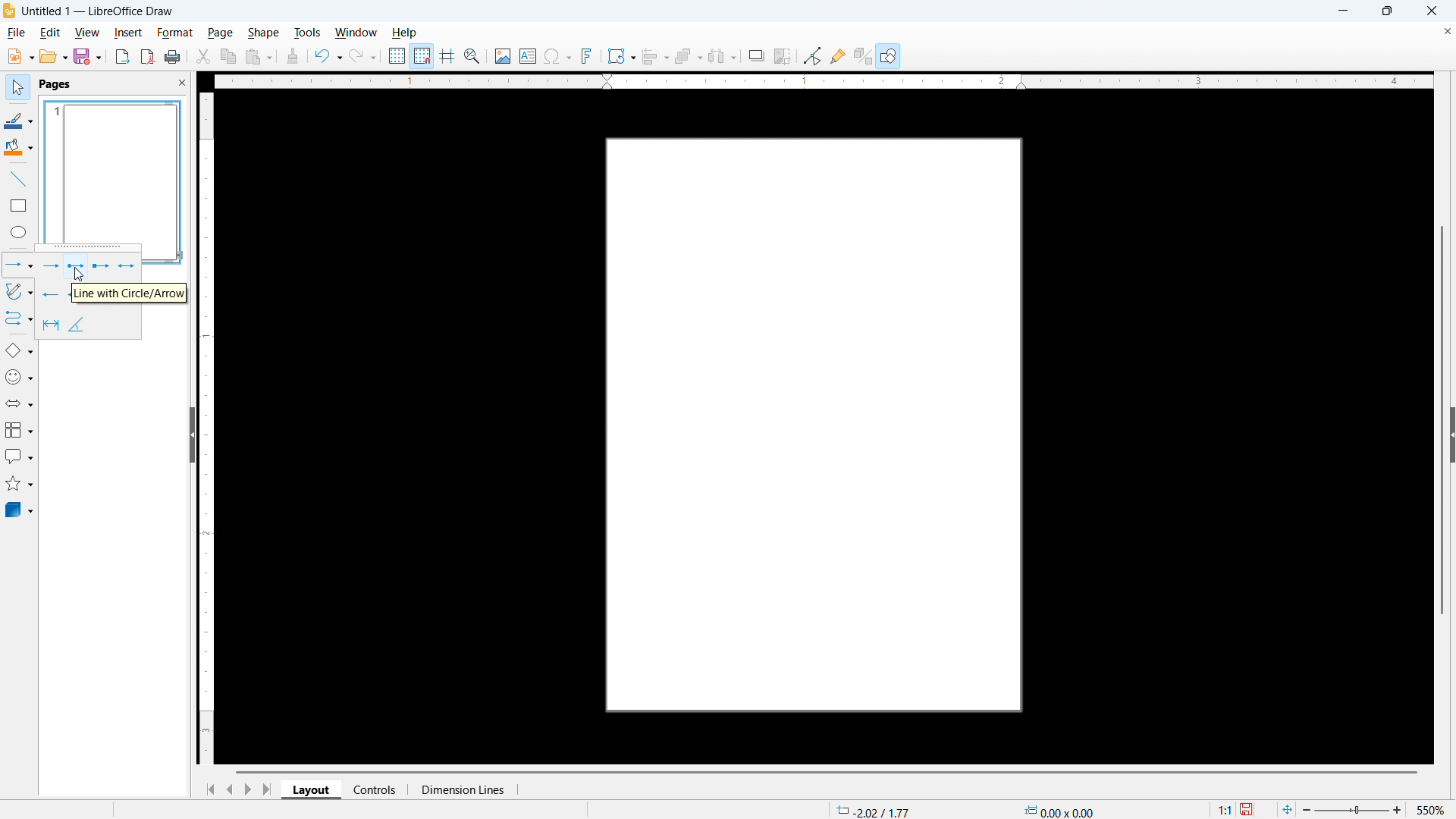 The height and width of the screenshot is (819, 1456). What do you see at coordinates (130, 292) in the screenshot?
I see `Line with circle/arrow` at bounding box center [130, 292].